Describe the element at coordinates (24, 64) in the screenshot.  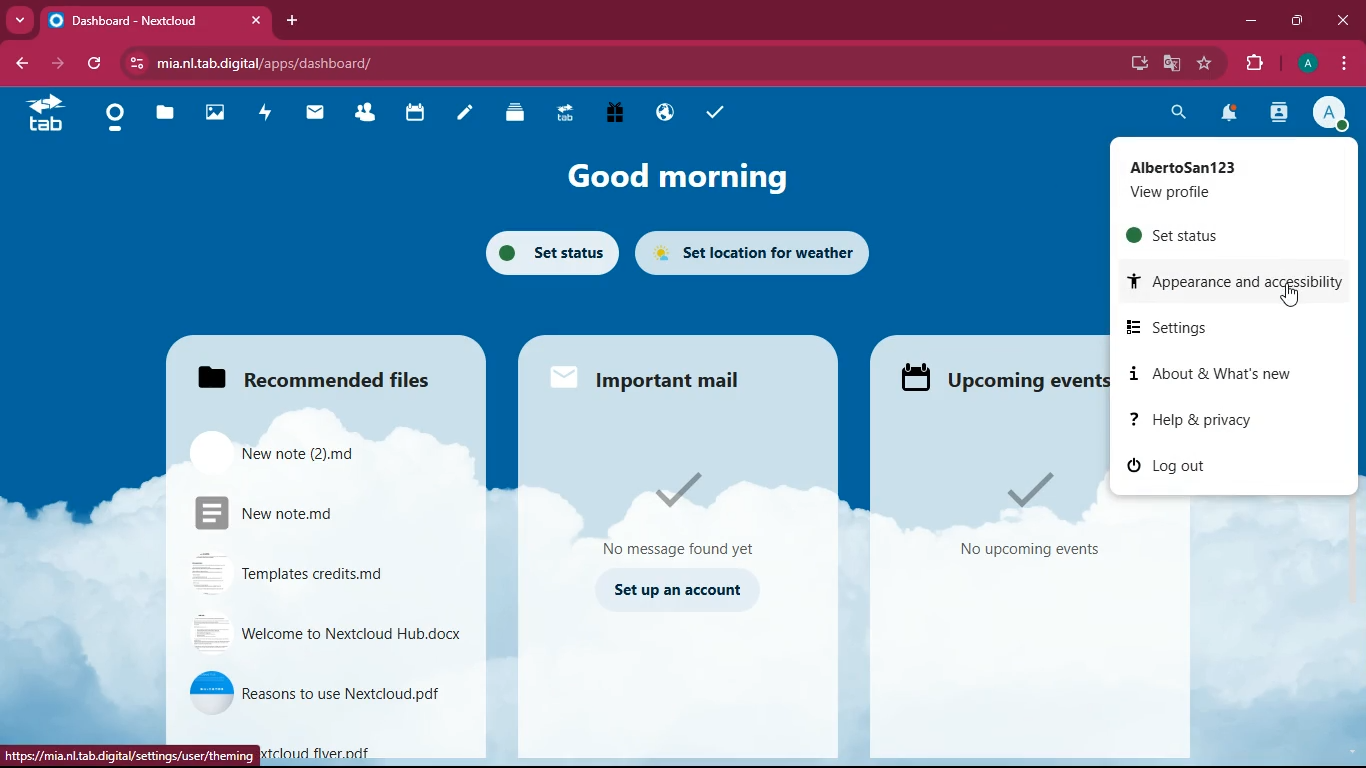
I see `back` at that location.